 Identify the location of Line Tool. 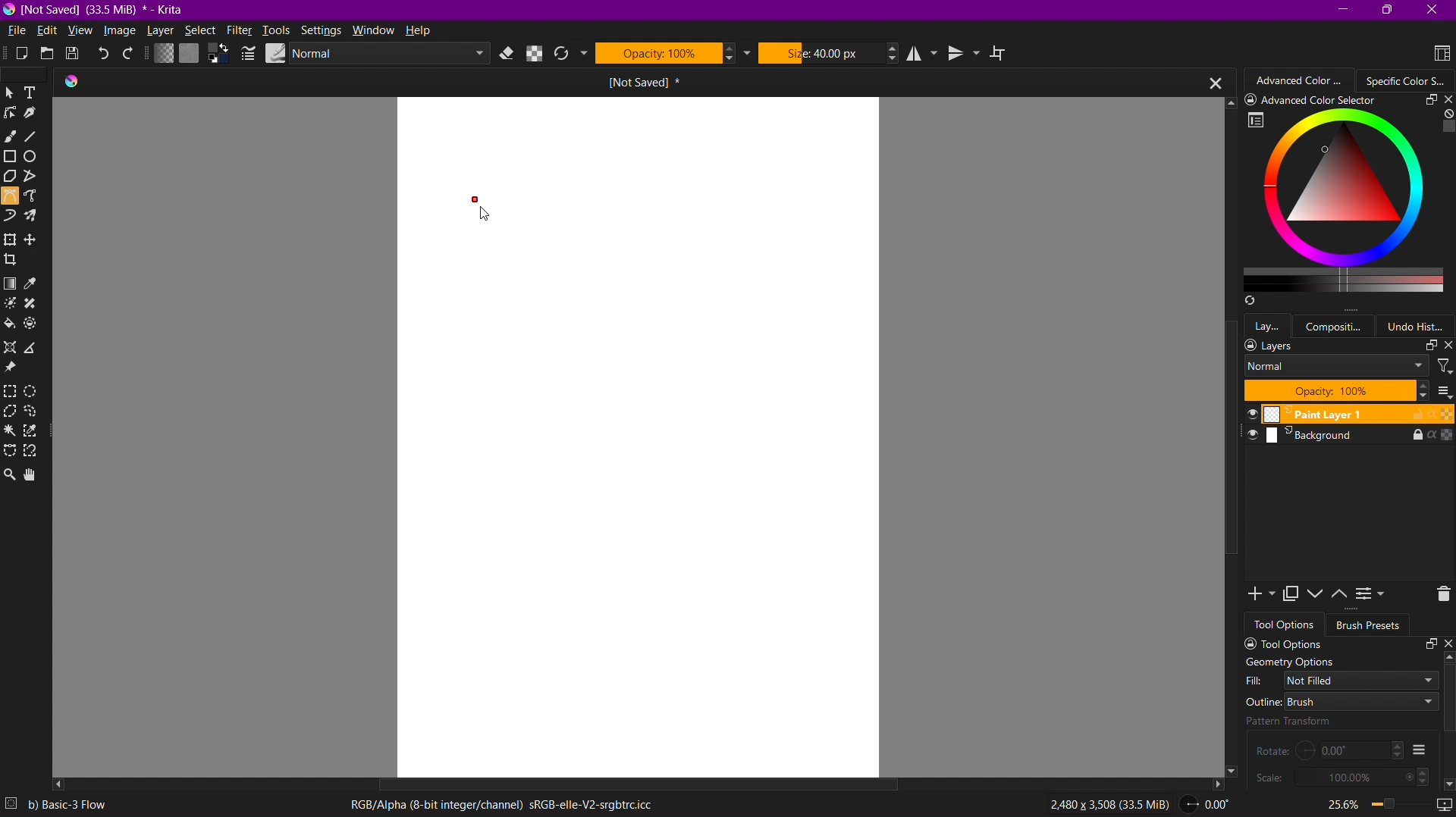
(36, 138).